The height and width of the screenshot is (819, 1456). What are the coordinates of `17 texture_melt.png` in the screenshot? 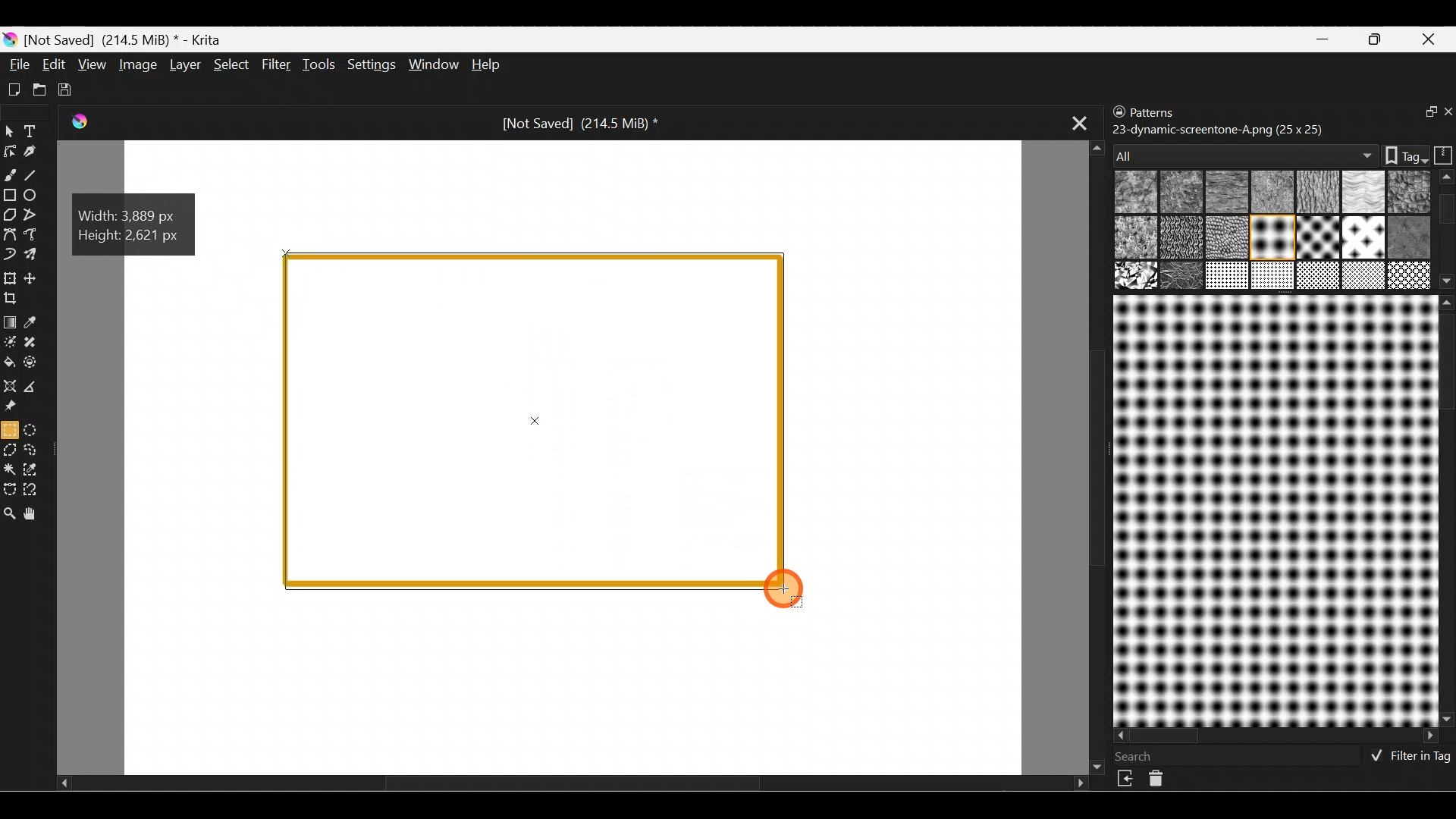 It's located at (1274, 275).